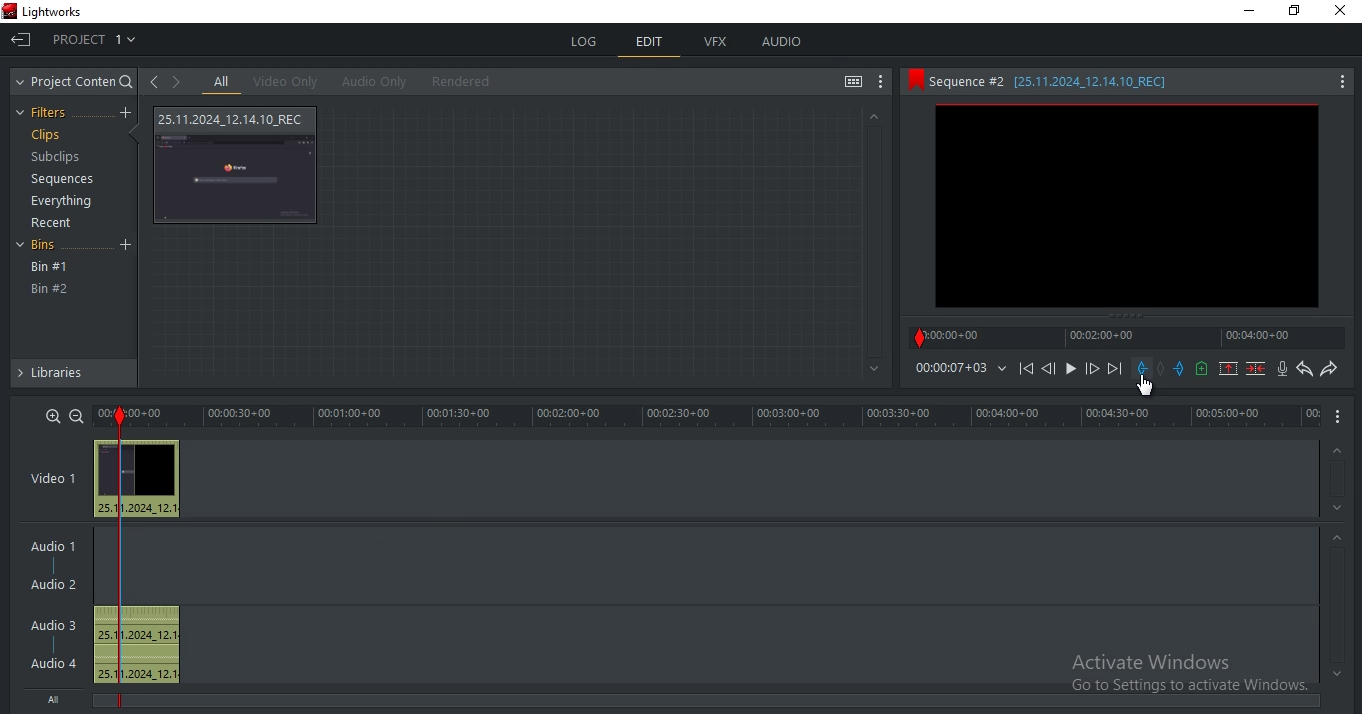 Image resolution: width=1362 pixels, height=714 pixels. Describe the element at coordinates (96, 37) in the screenshot. I see `project 1` at that location.